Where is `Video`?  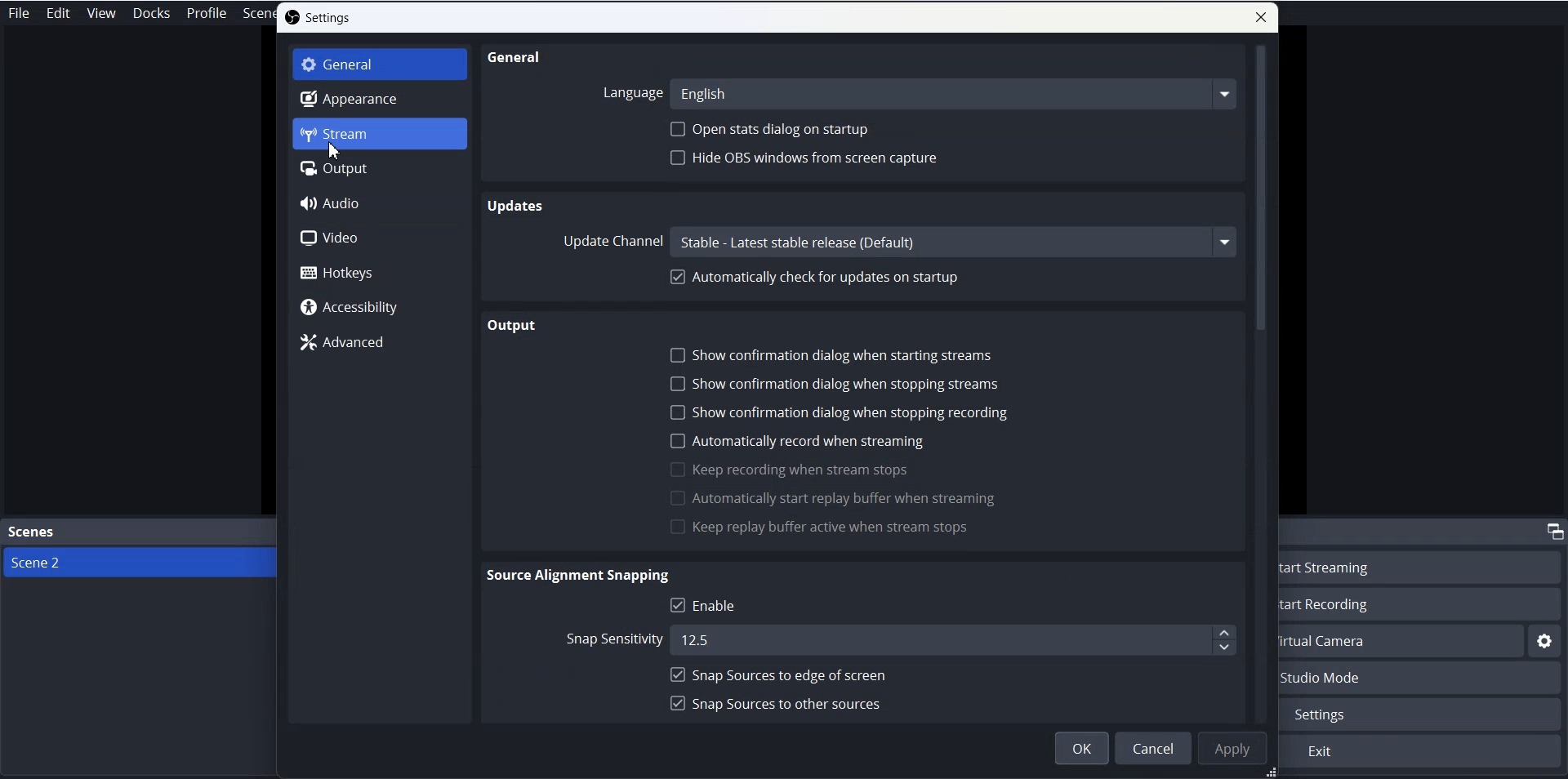 Video is located at coordinates (378, 238).